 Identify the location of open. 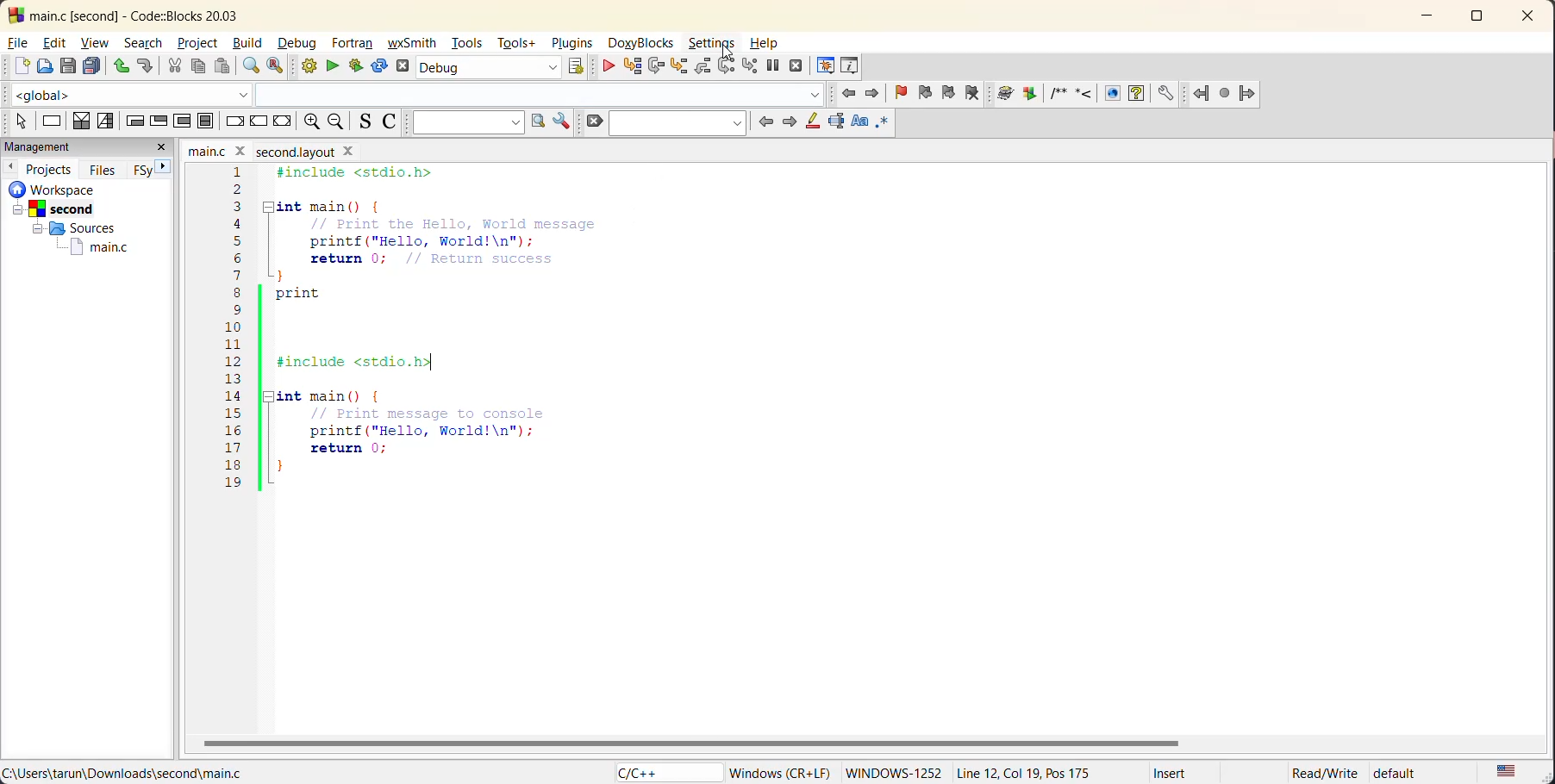
(43, 66).